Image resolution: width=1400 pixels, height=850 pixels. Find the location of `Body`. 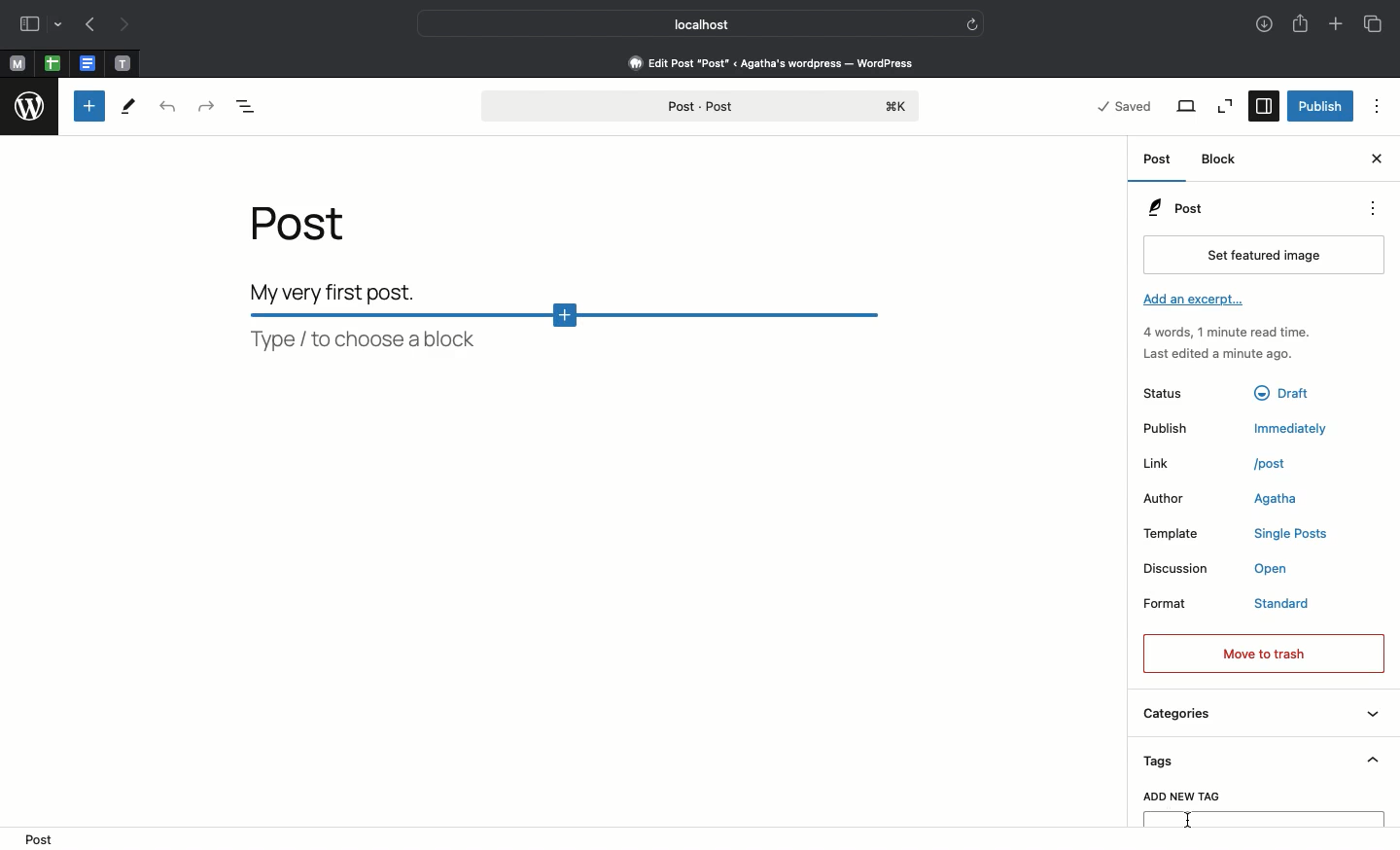

Body is located at coordinates (357, 290).